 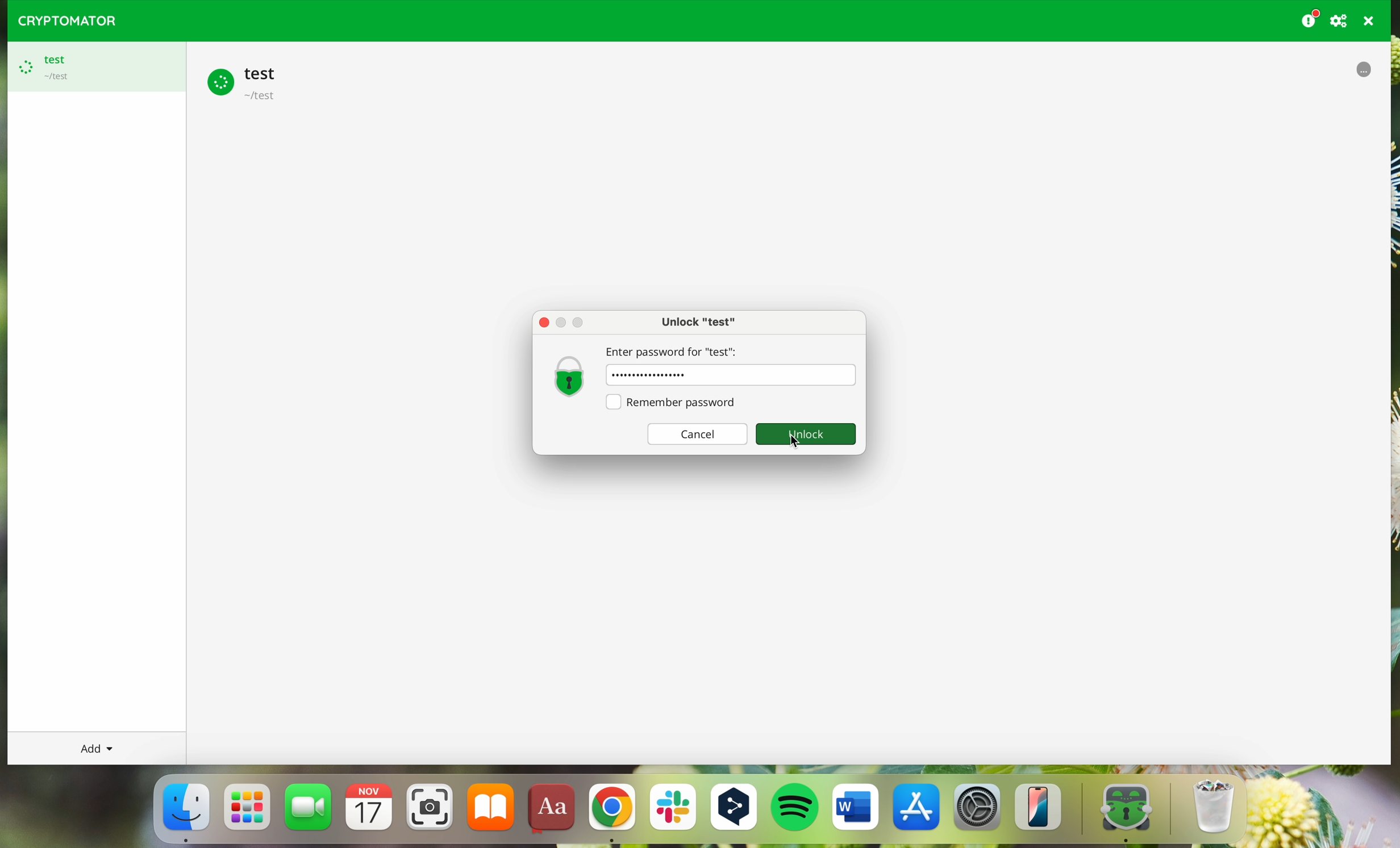 I want to click on Microsoft Word, so click(x=856, y=811).